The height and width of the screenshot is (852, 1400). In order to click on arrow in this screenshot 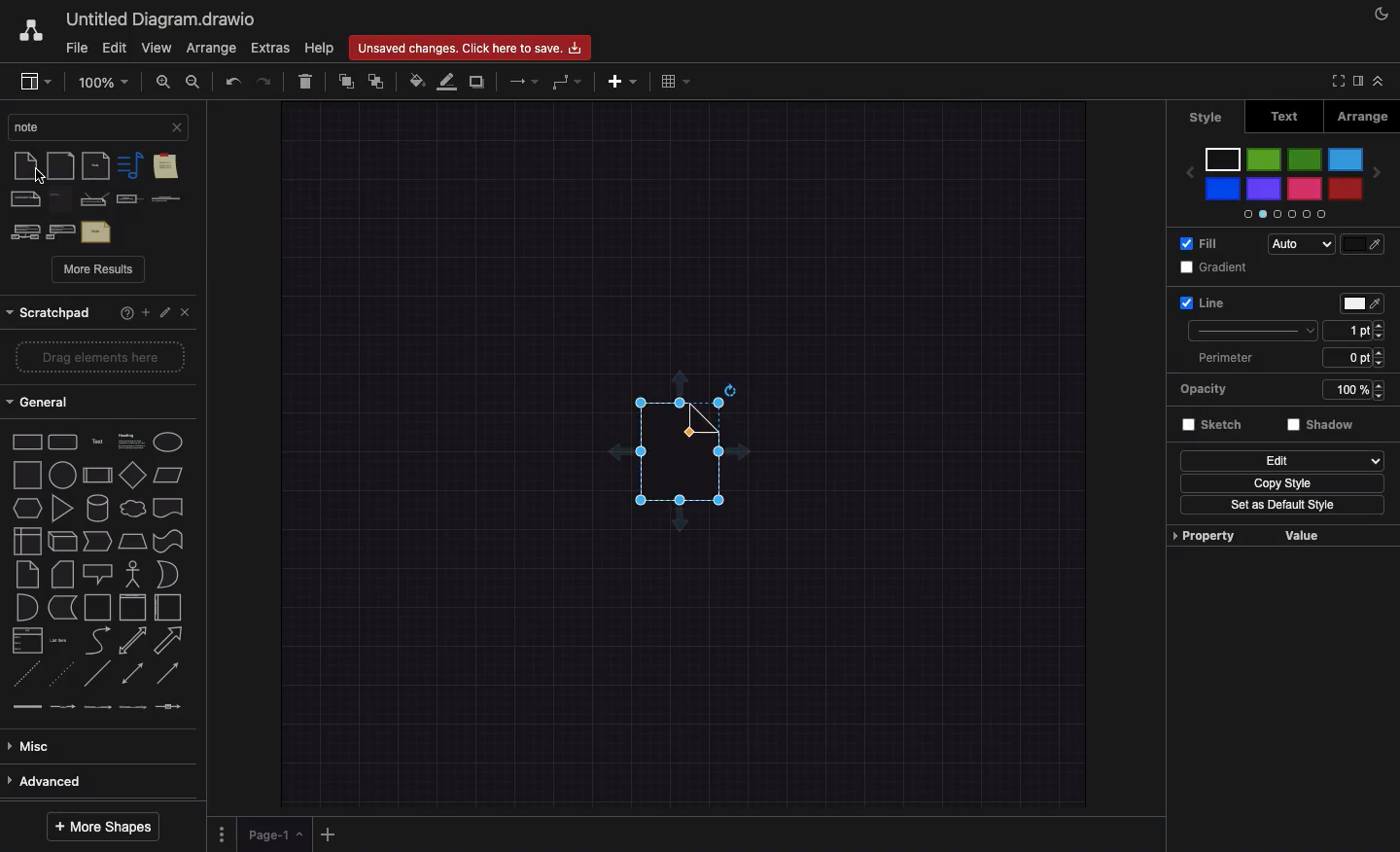, I will do `click(169, 640)`.